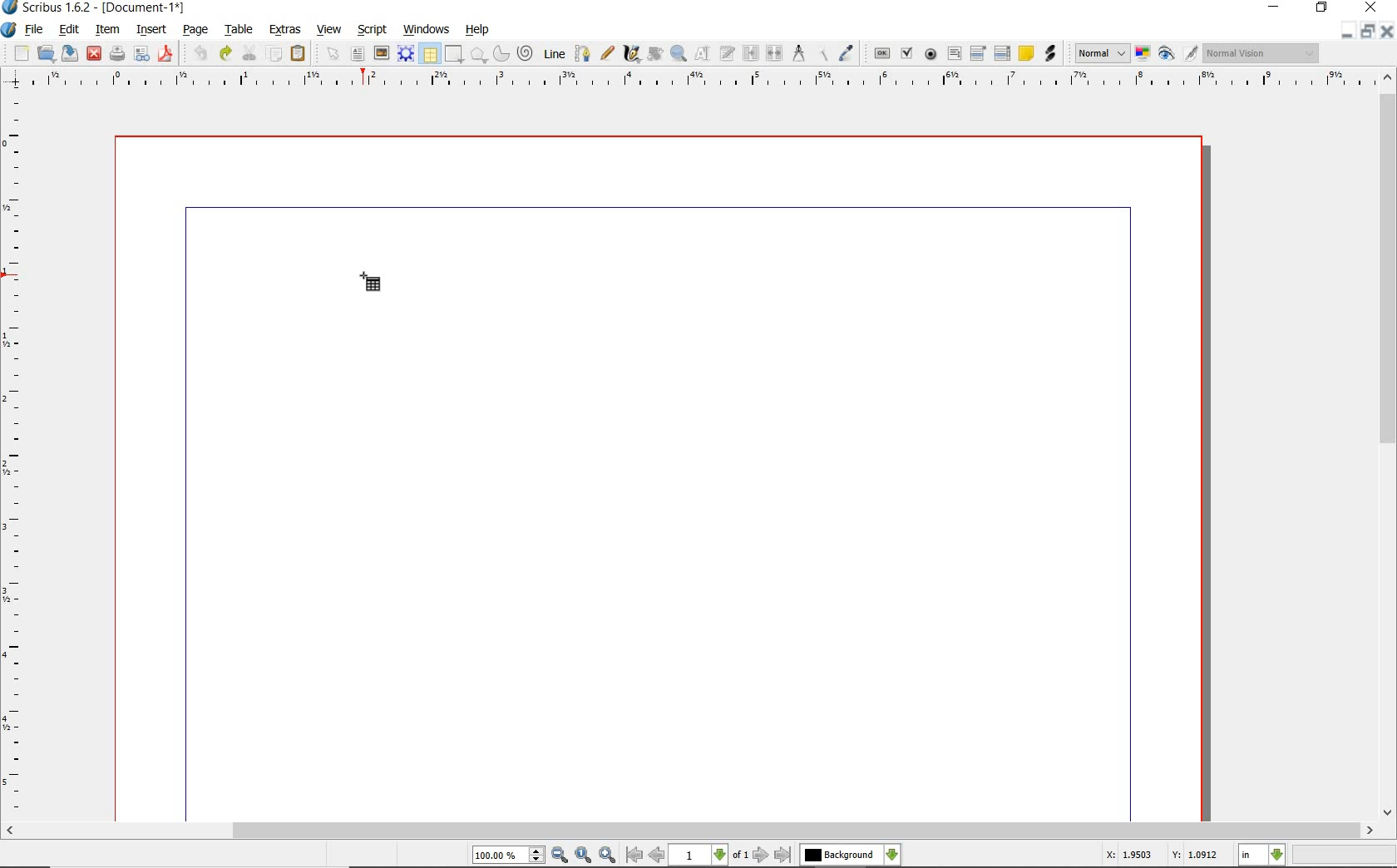 The height and width of the screenshot is (868, 1397). Describe the element at coordinates (1366, 32) in the screenshot. I see `restore` at that location.